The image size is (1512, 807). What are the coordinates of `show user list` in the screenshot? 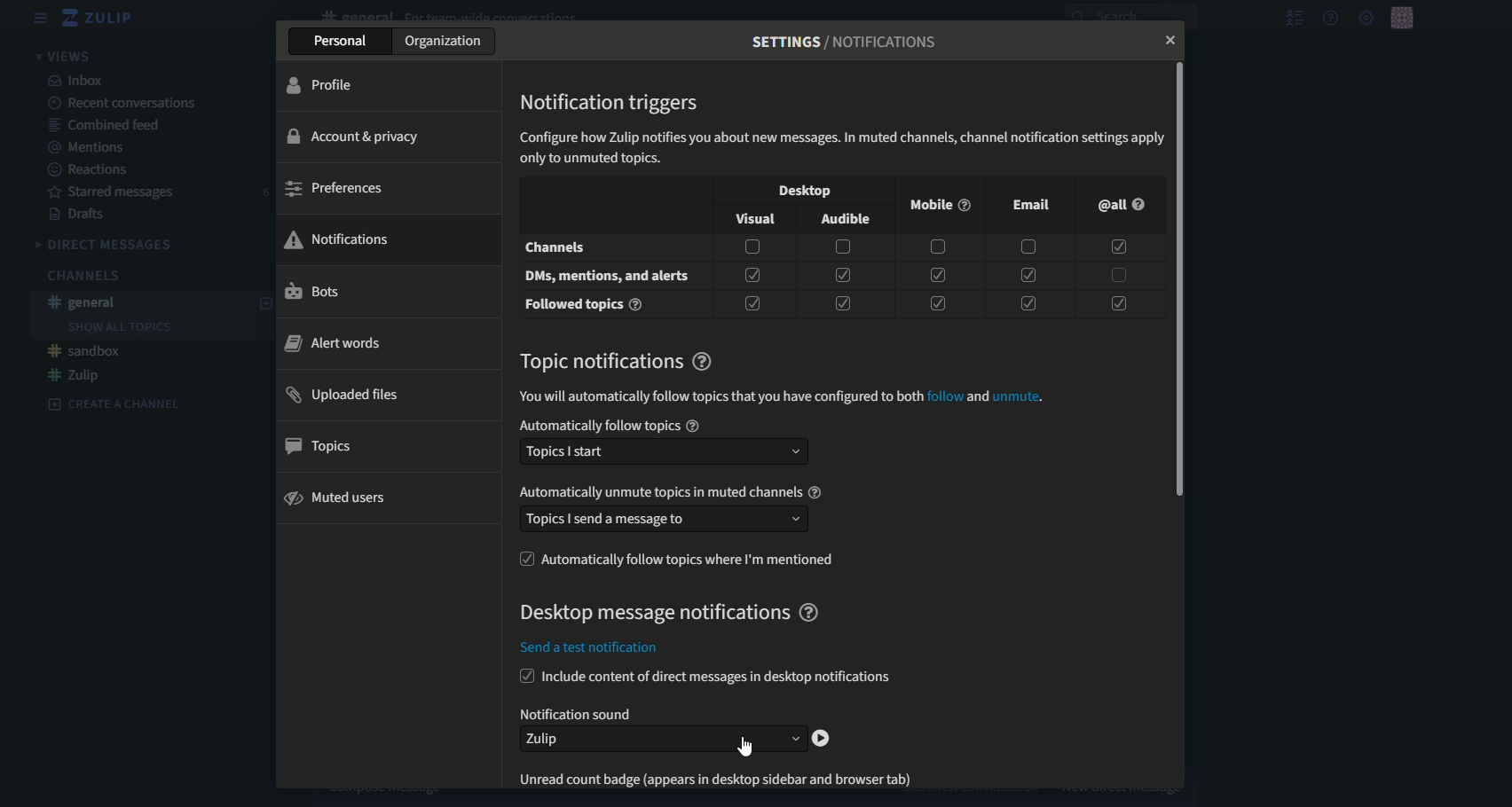 It's located at (1294, 18).